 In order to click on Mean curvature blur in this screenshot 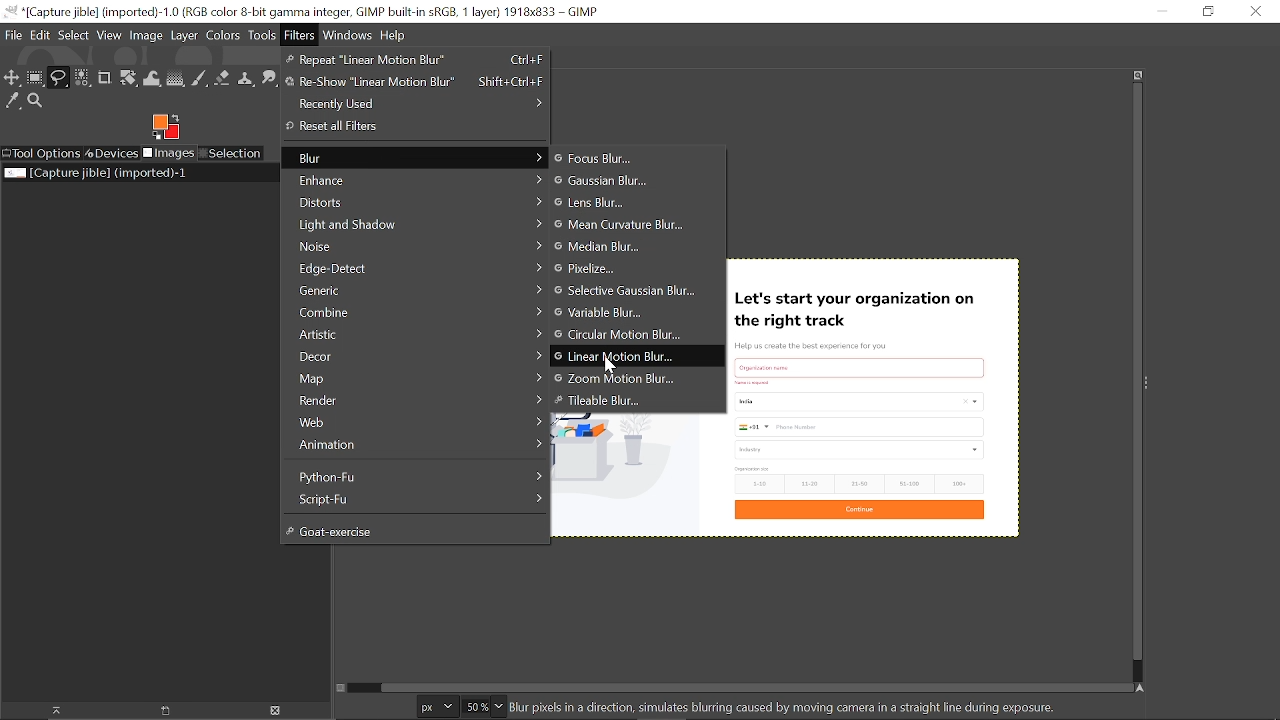, I will do `click(624, 226)`.